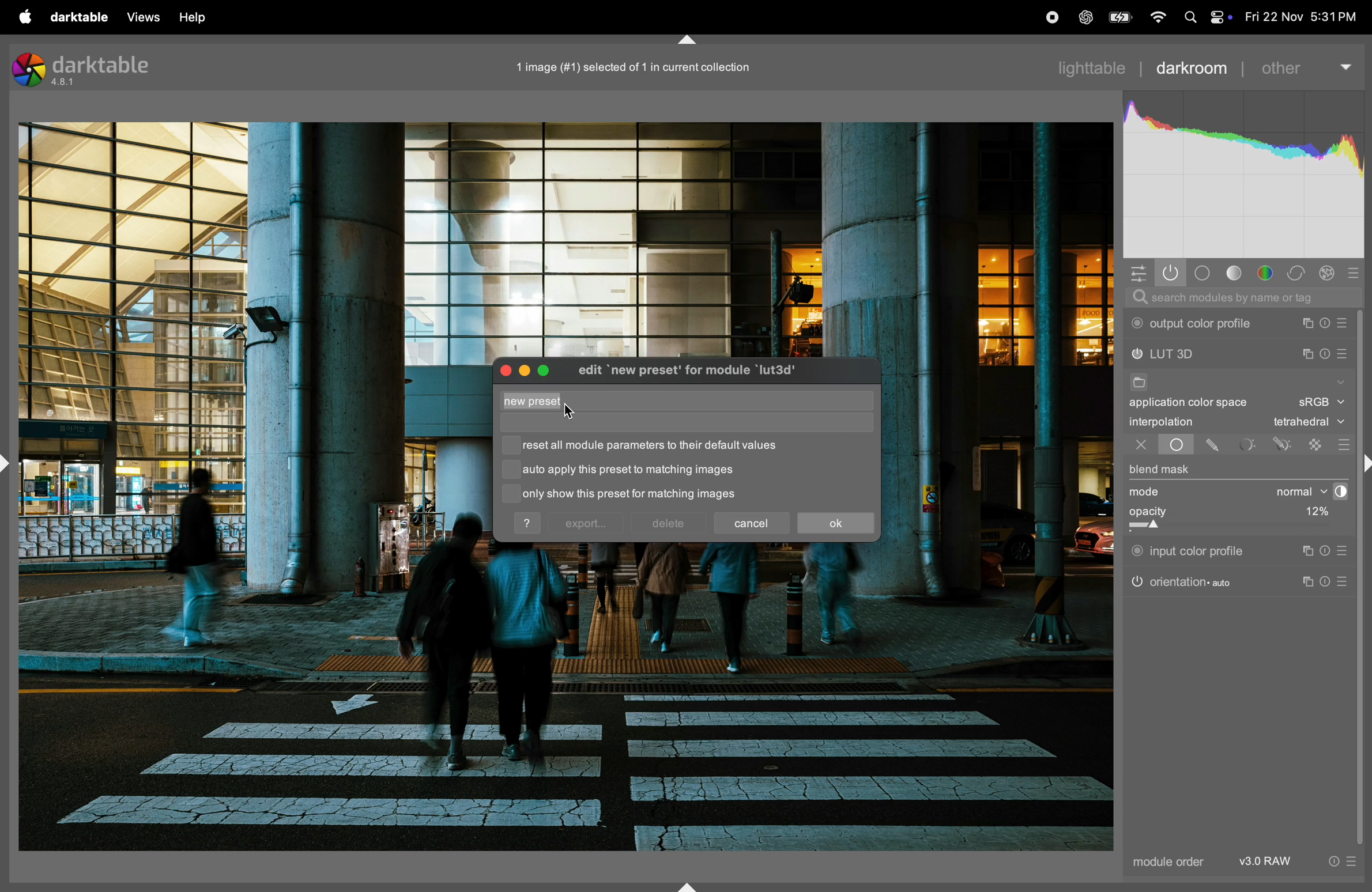  I want to click on ok, so click(835, 524).